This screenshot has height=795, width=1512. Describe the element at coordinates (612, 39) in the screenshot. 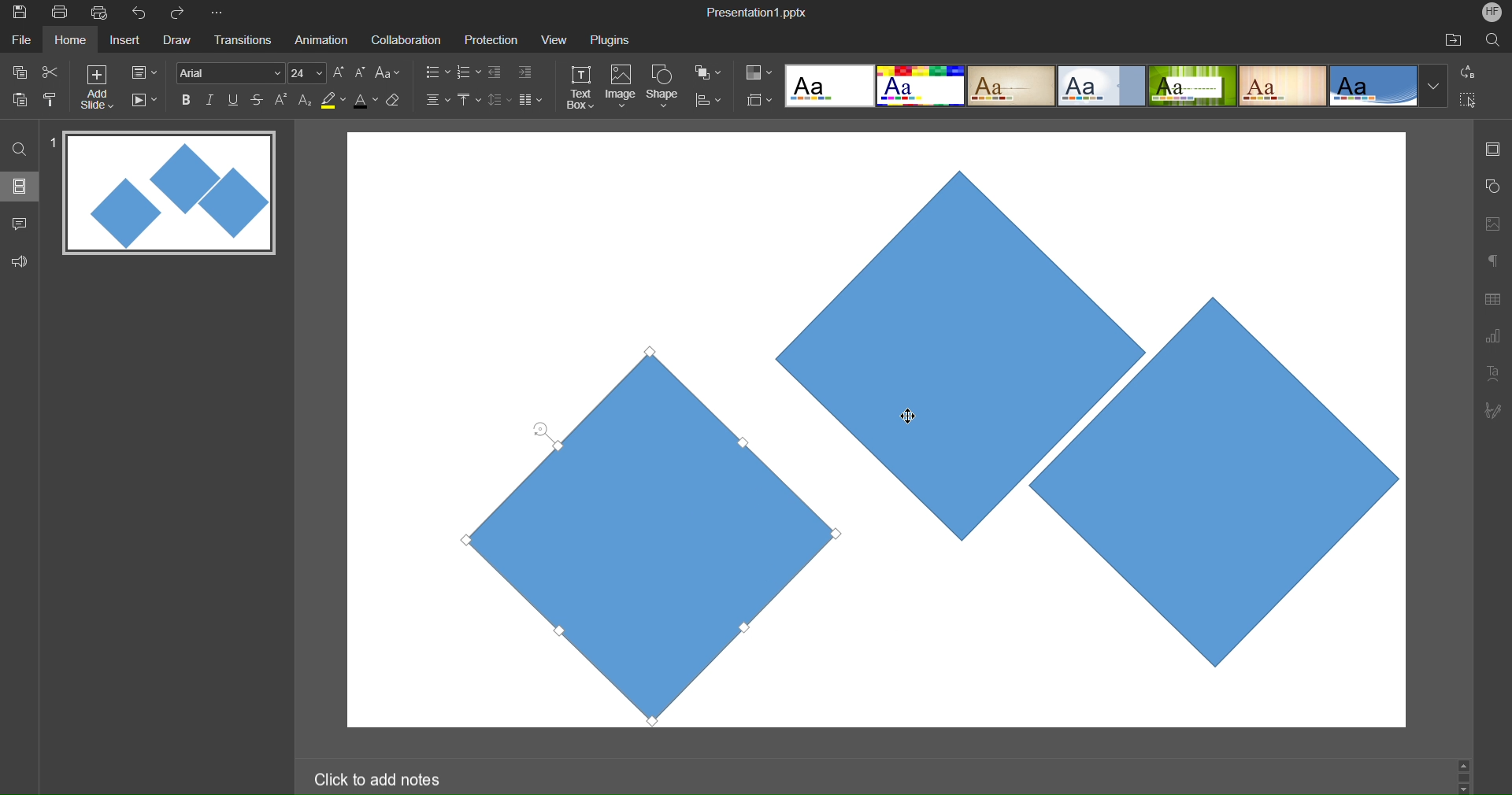

I see `Plugins` at that location.